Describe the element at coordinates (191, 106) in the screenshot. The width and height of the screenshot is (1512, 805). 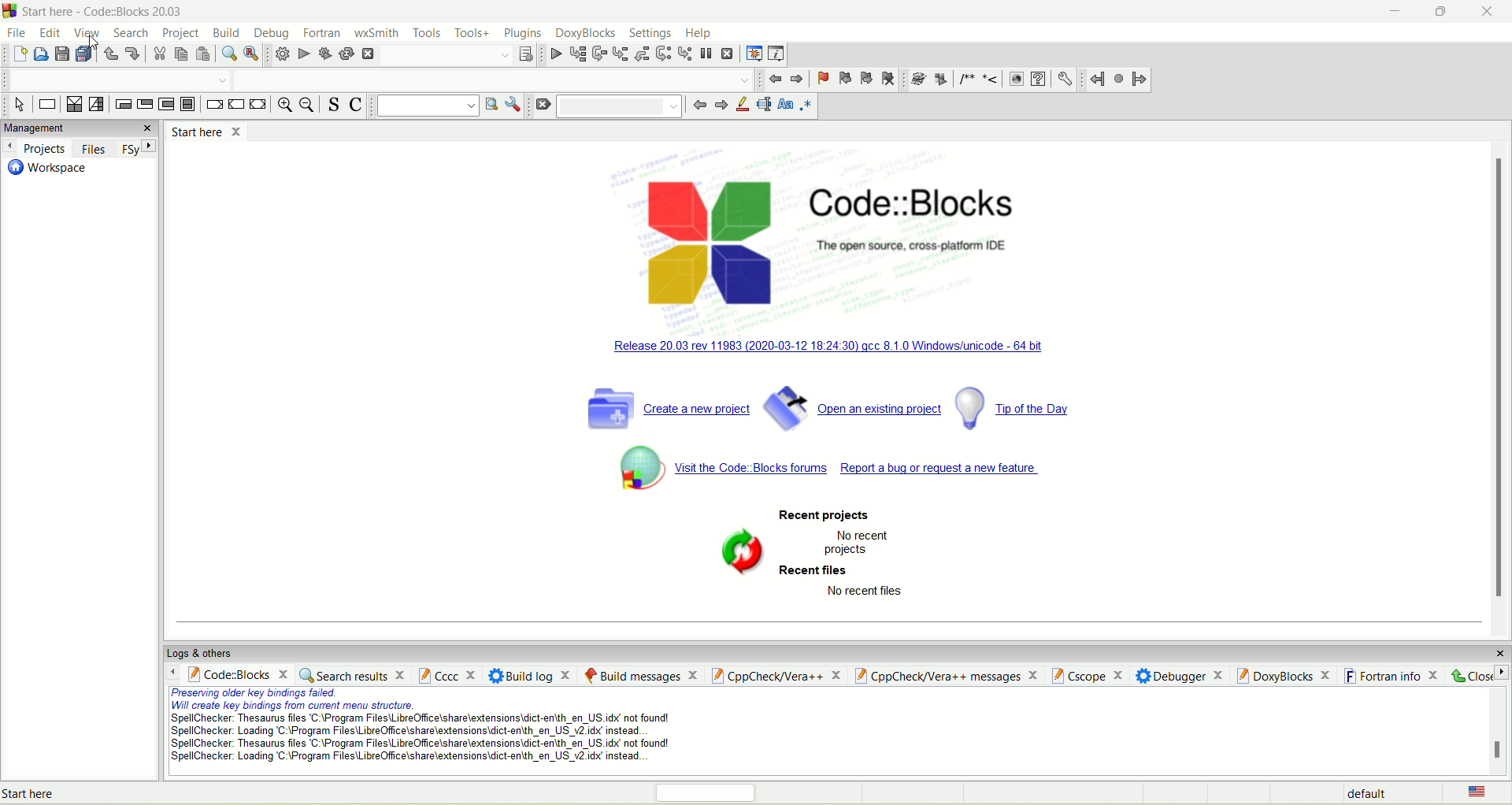
I see `block instruction` at that location.